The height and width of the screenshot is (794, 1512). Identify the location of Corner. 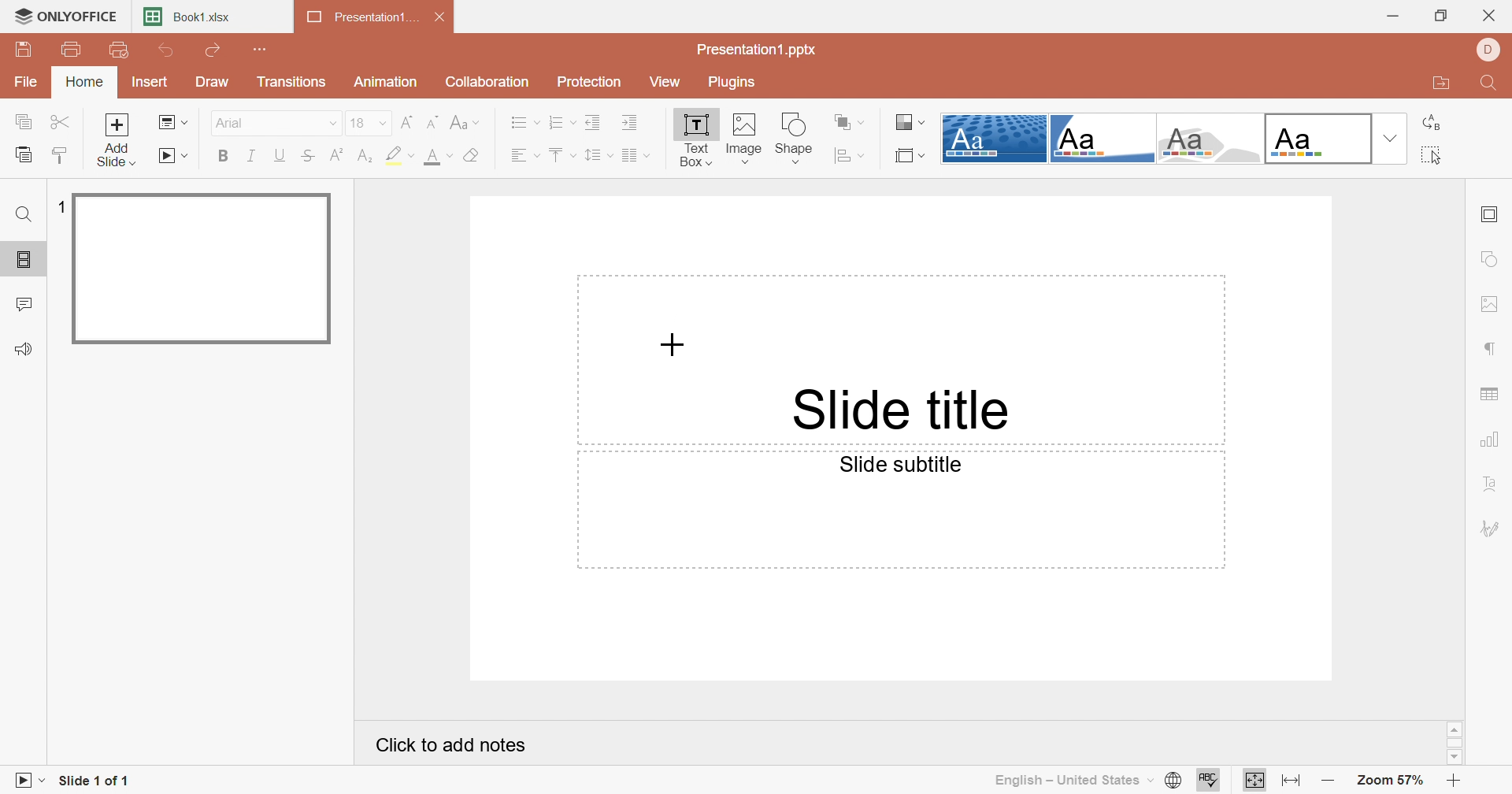
(1102, 139).